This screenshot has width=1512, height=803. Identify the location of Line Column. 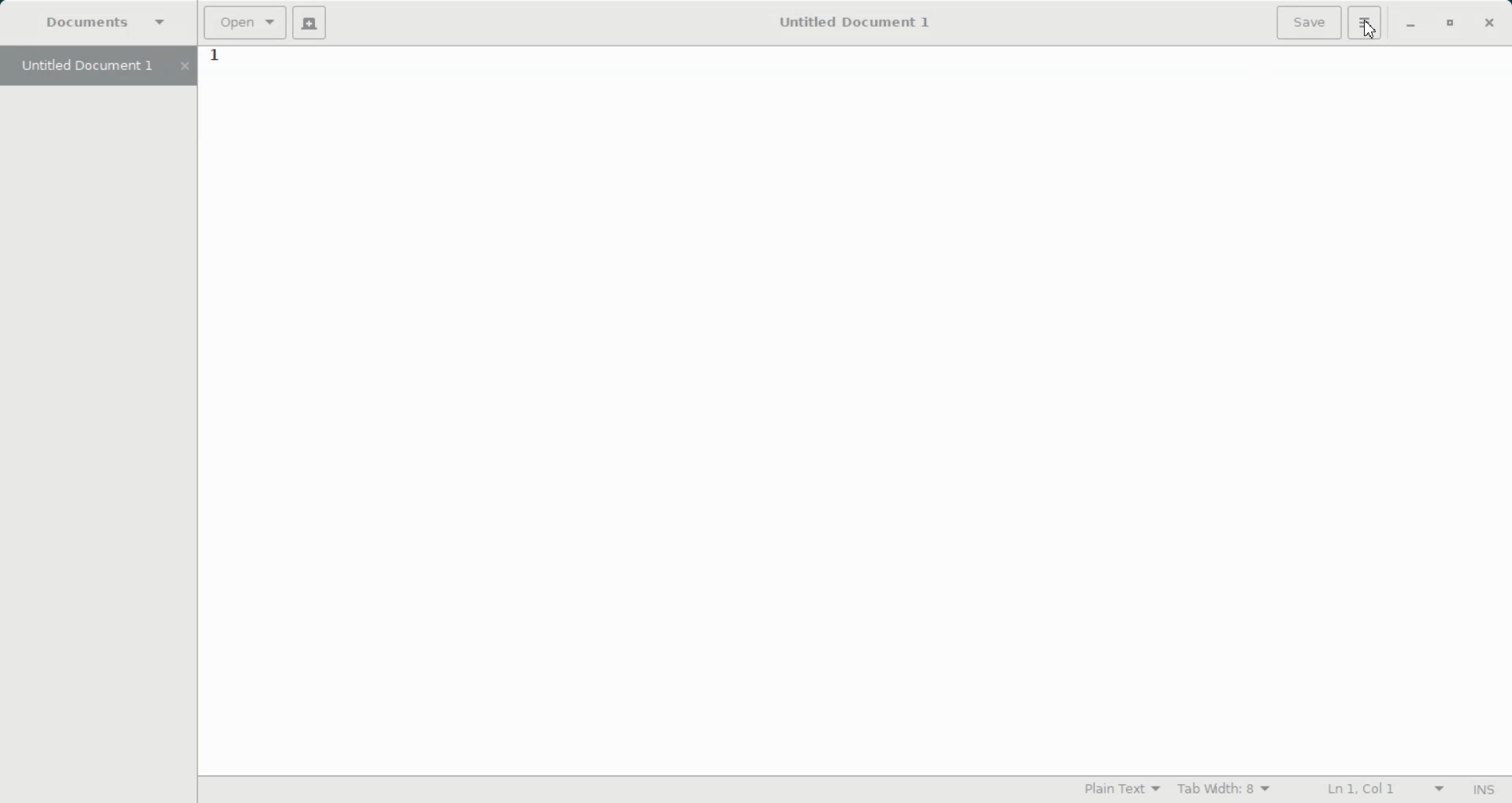
(1376, 790).